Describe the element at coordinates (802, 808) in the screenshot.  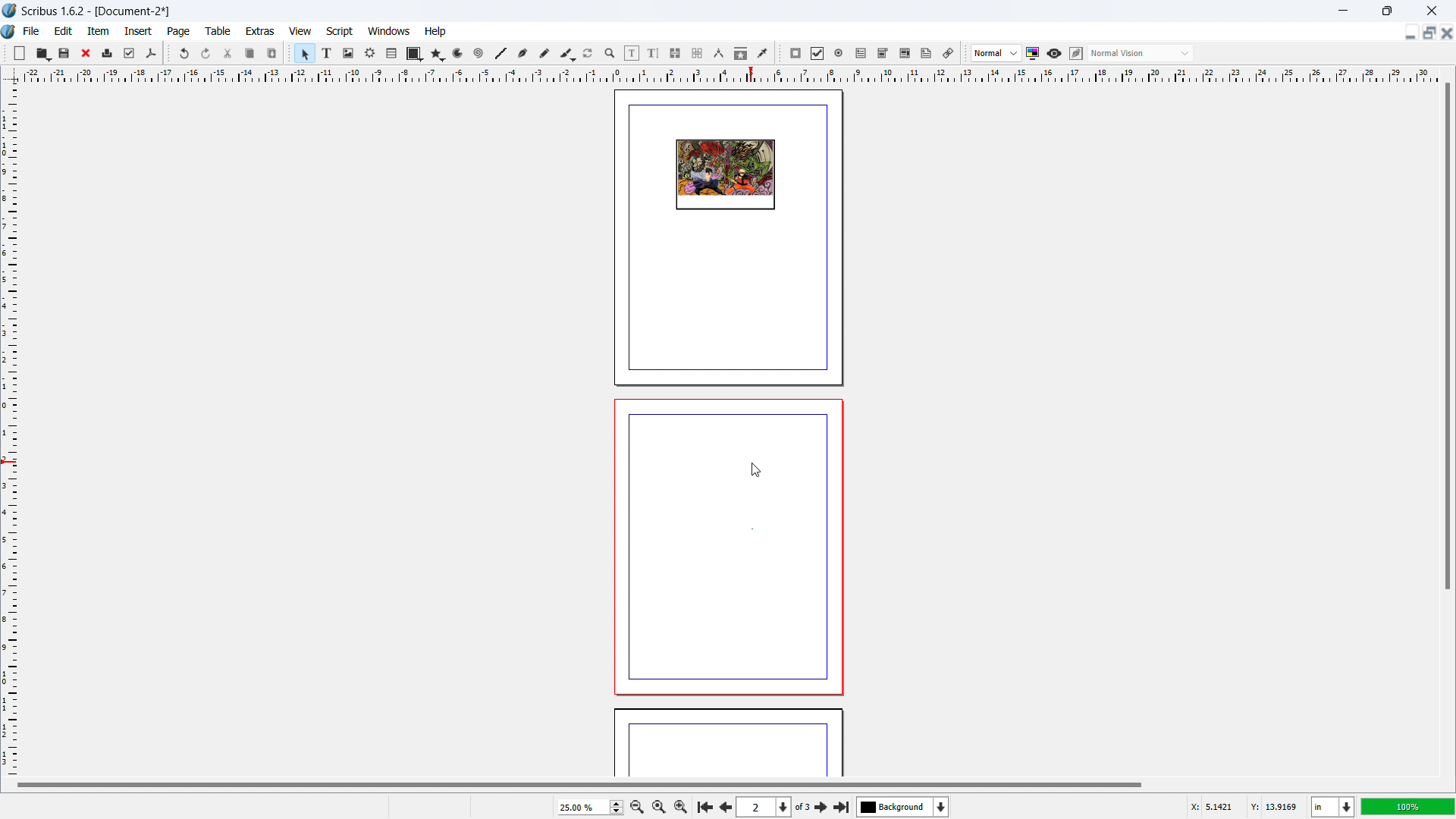
I see `of 3` at that location.